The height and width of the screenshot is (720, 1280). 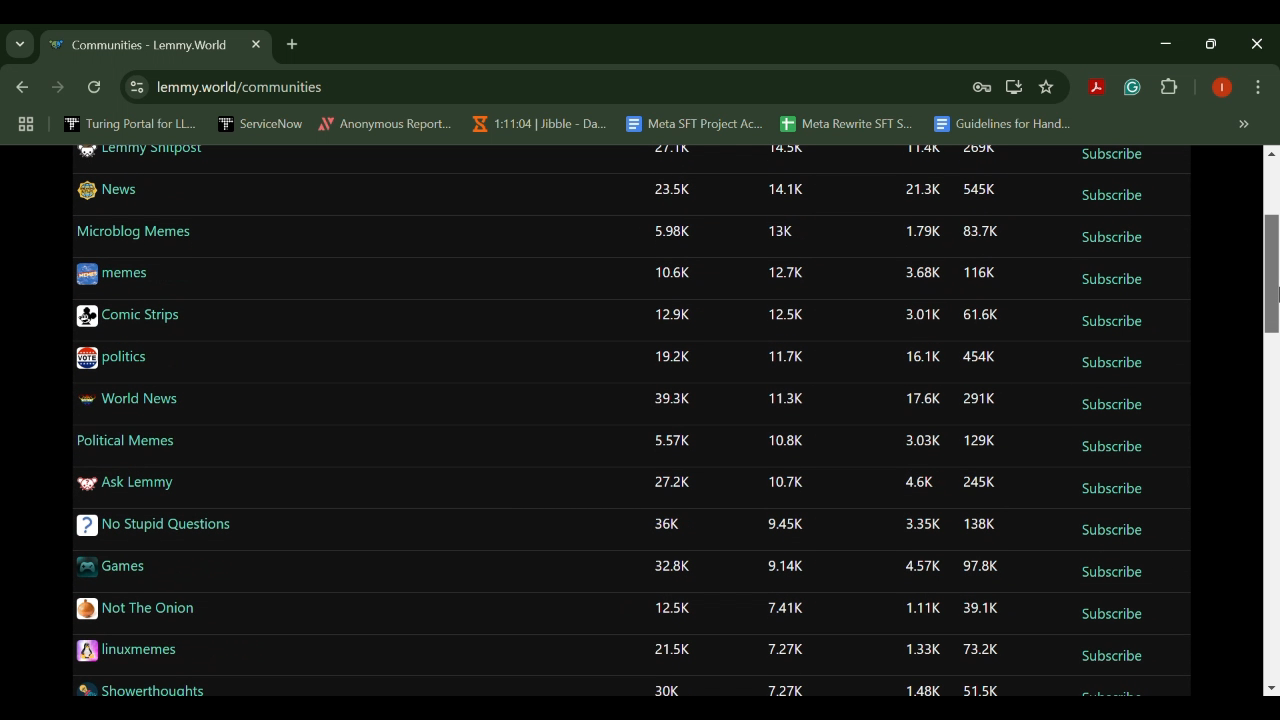 I want to click on 23.5K, so click(x=674, y=190).